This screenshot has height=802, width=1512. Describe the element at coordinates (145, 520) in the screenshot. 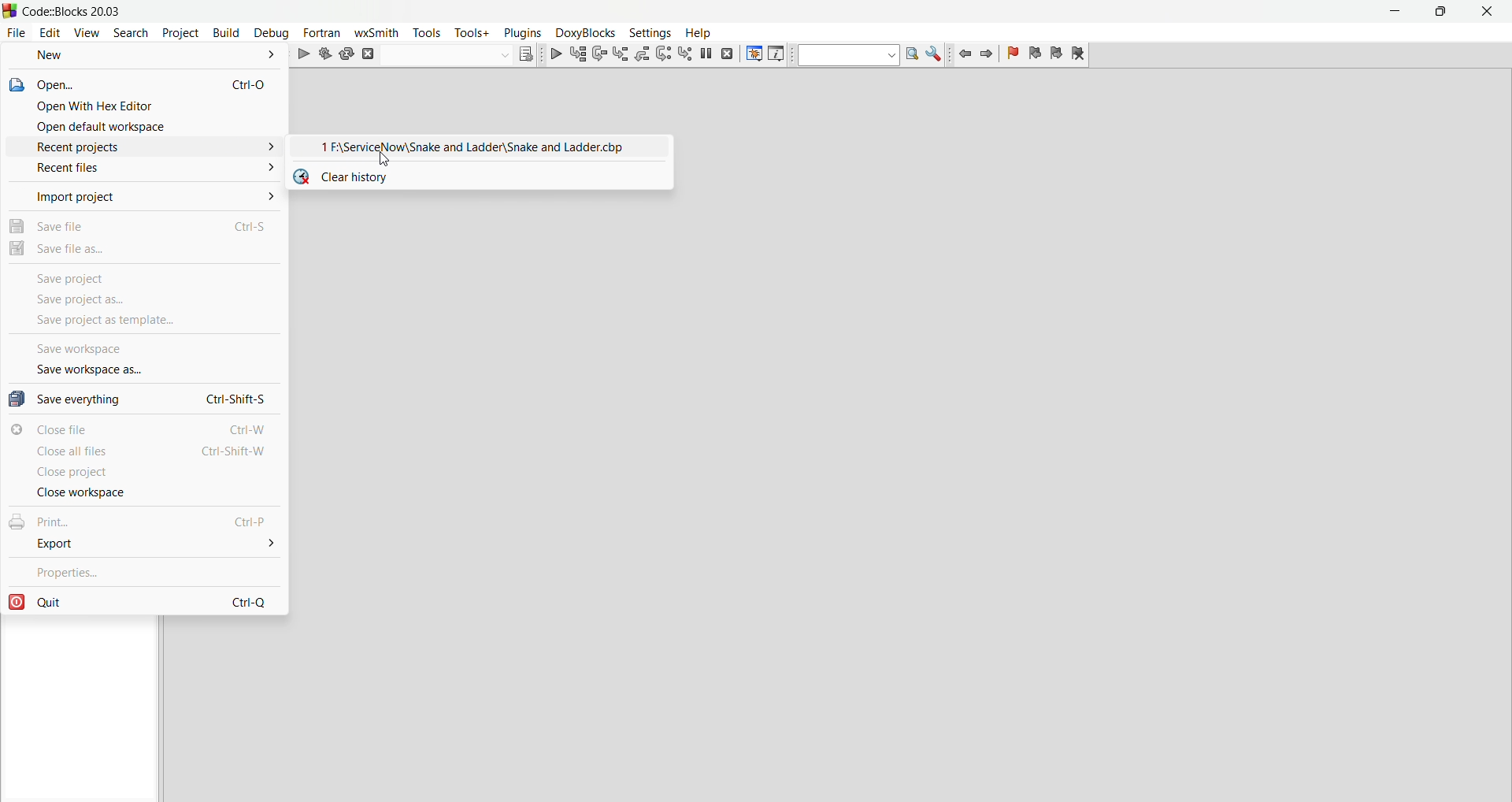

I see `print` at that location.